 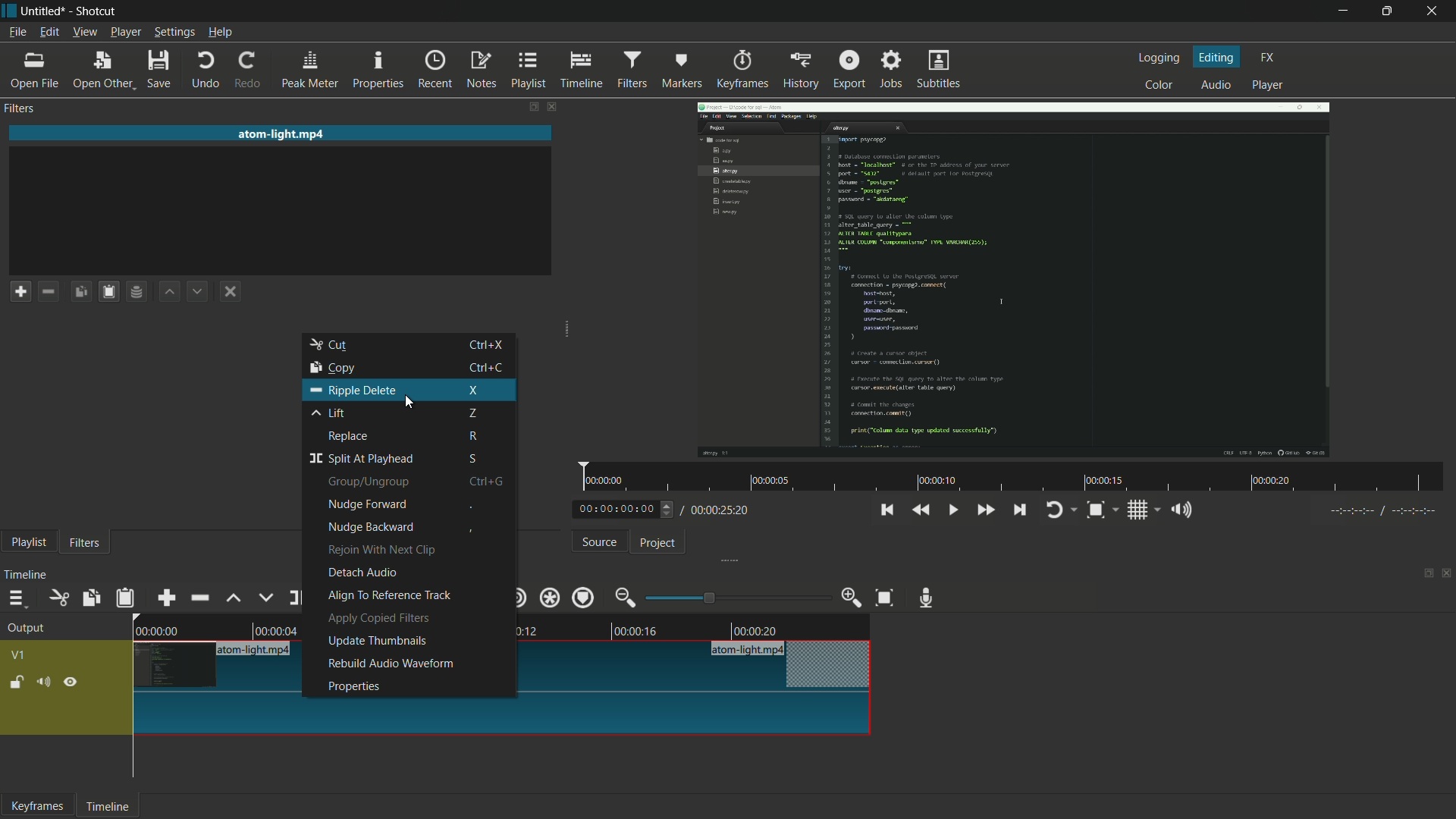 What do you see at coordinates (90, 598) in the screenshot?
I see `copy` at bounding box center [90, 598].